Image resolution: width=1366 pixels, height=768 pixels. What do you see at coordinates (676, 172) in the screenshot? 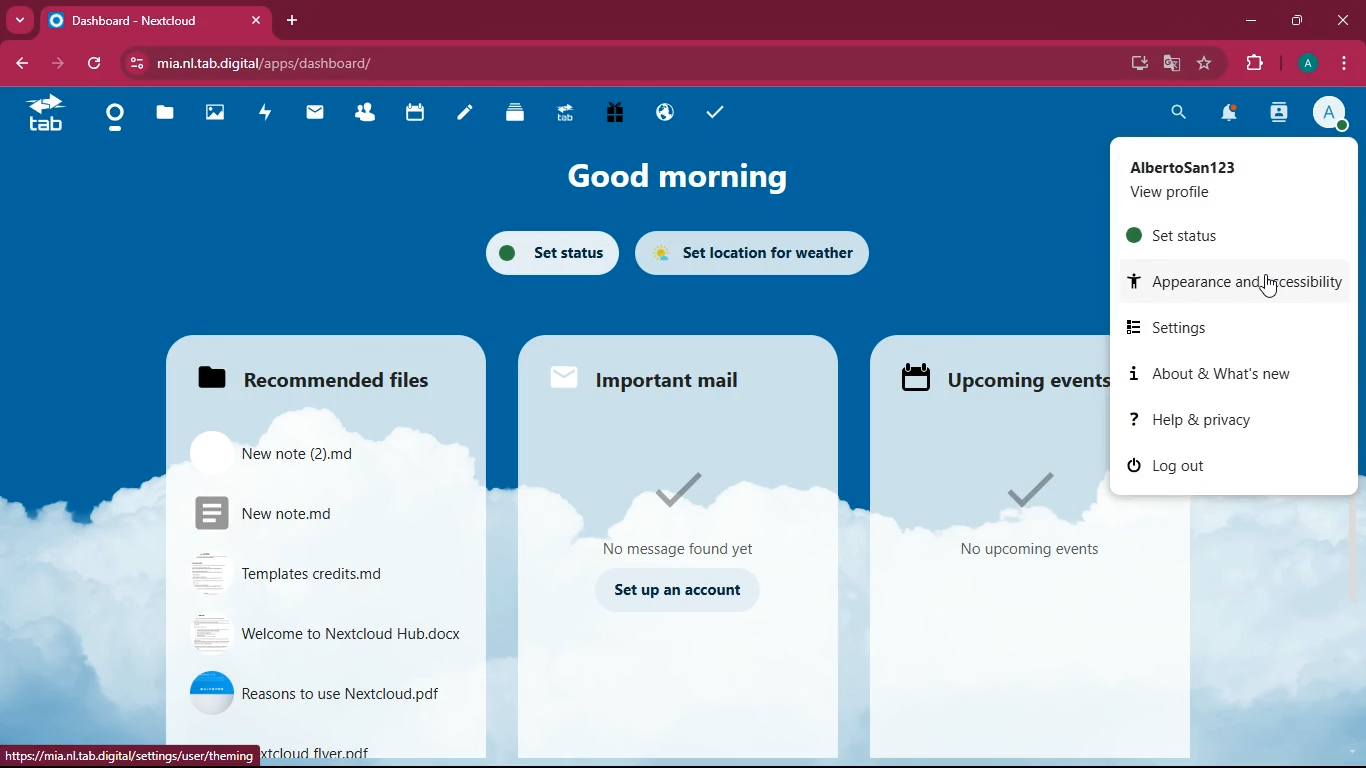
I see `good morning` at bounding box center [676, 172].